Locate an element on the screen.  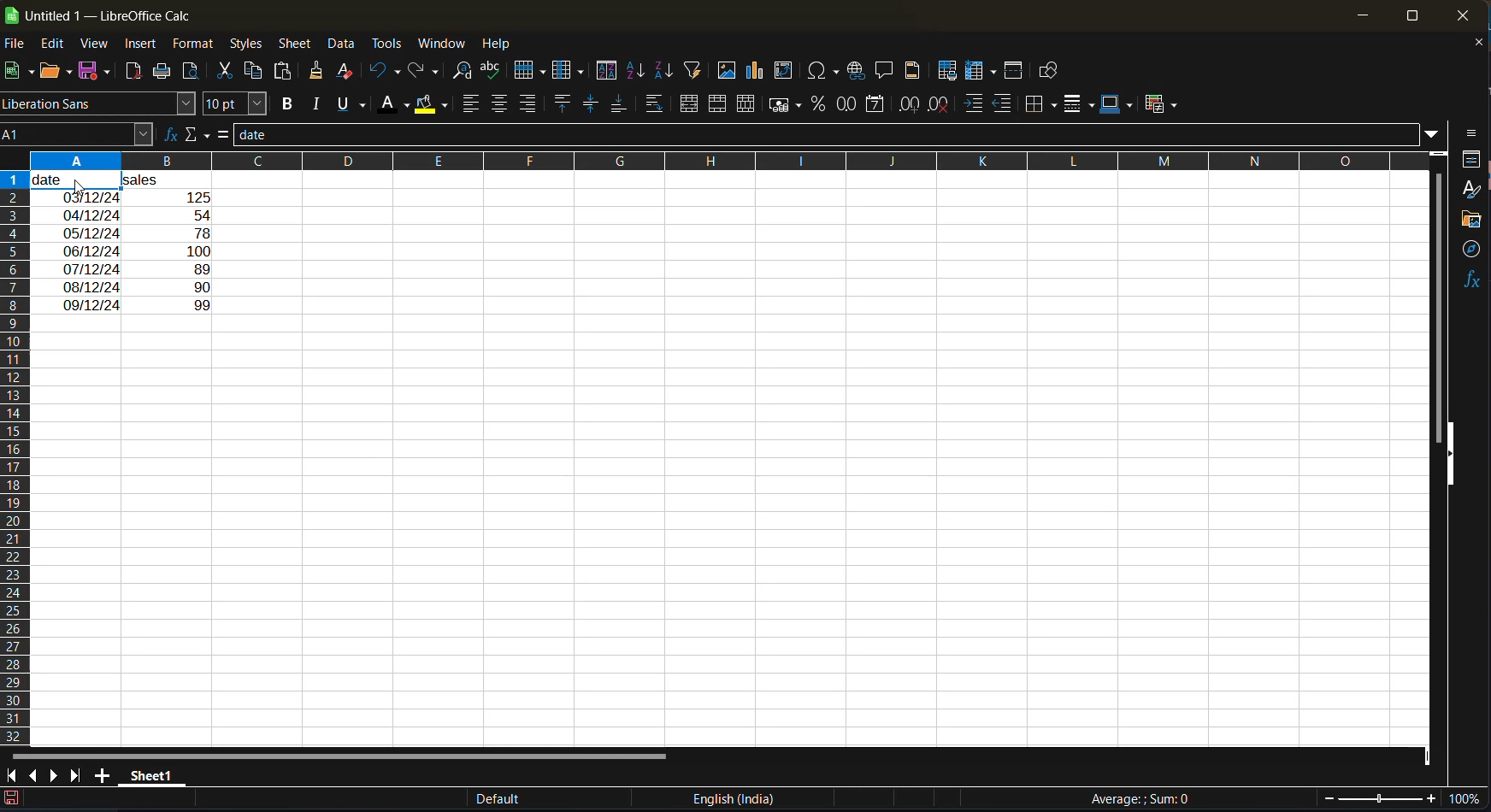
insert image is located at coordinates (726, 69).